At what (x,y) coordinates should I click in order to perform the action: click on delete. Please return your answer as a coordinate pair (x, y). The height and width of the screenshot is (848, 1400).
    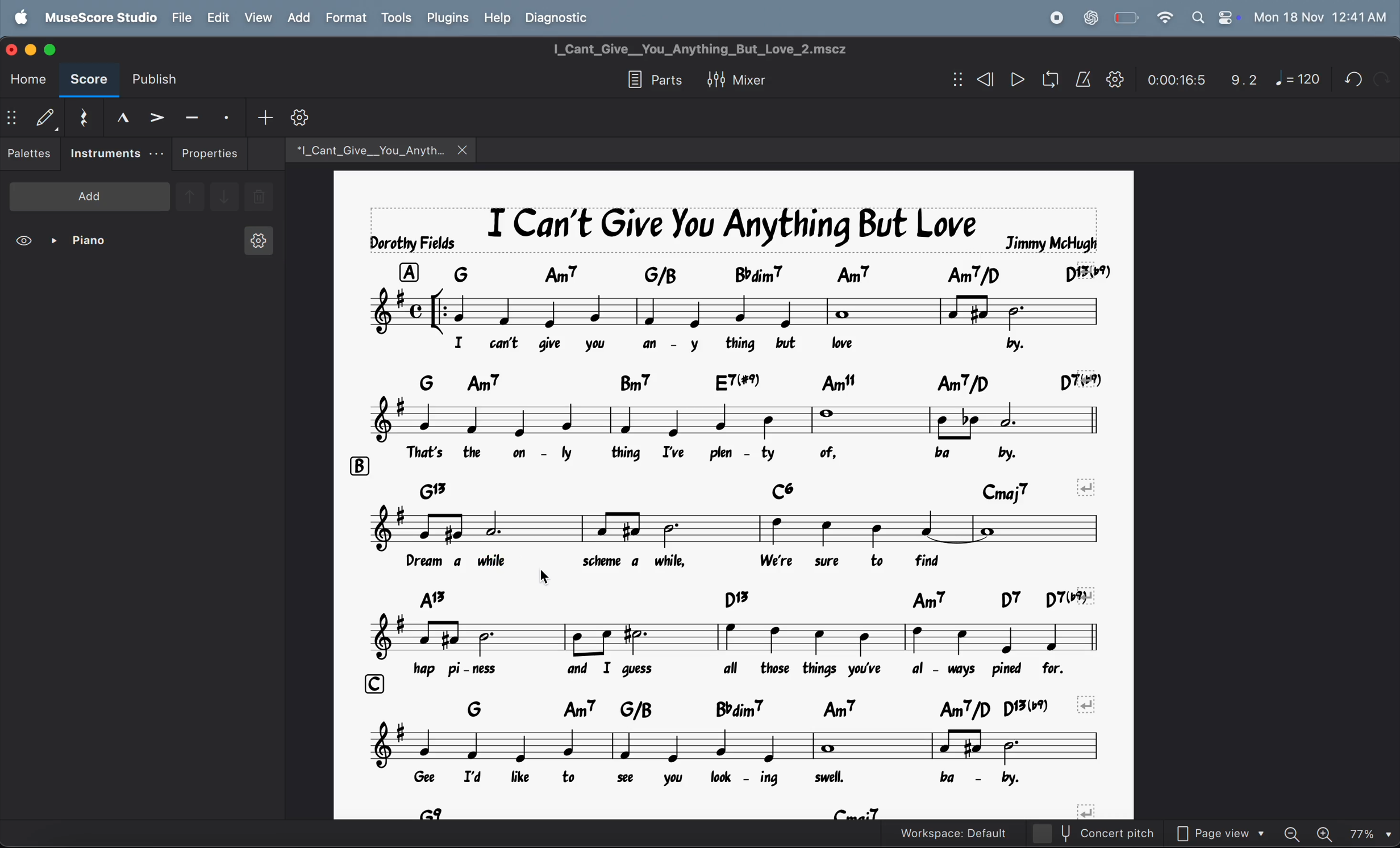
    Looking at the image, I should click on (268, 197).